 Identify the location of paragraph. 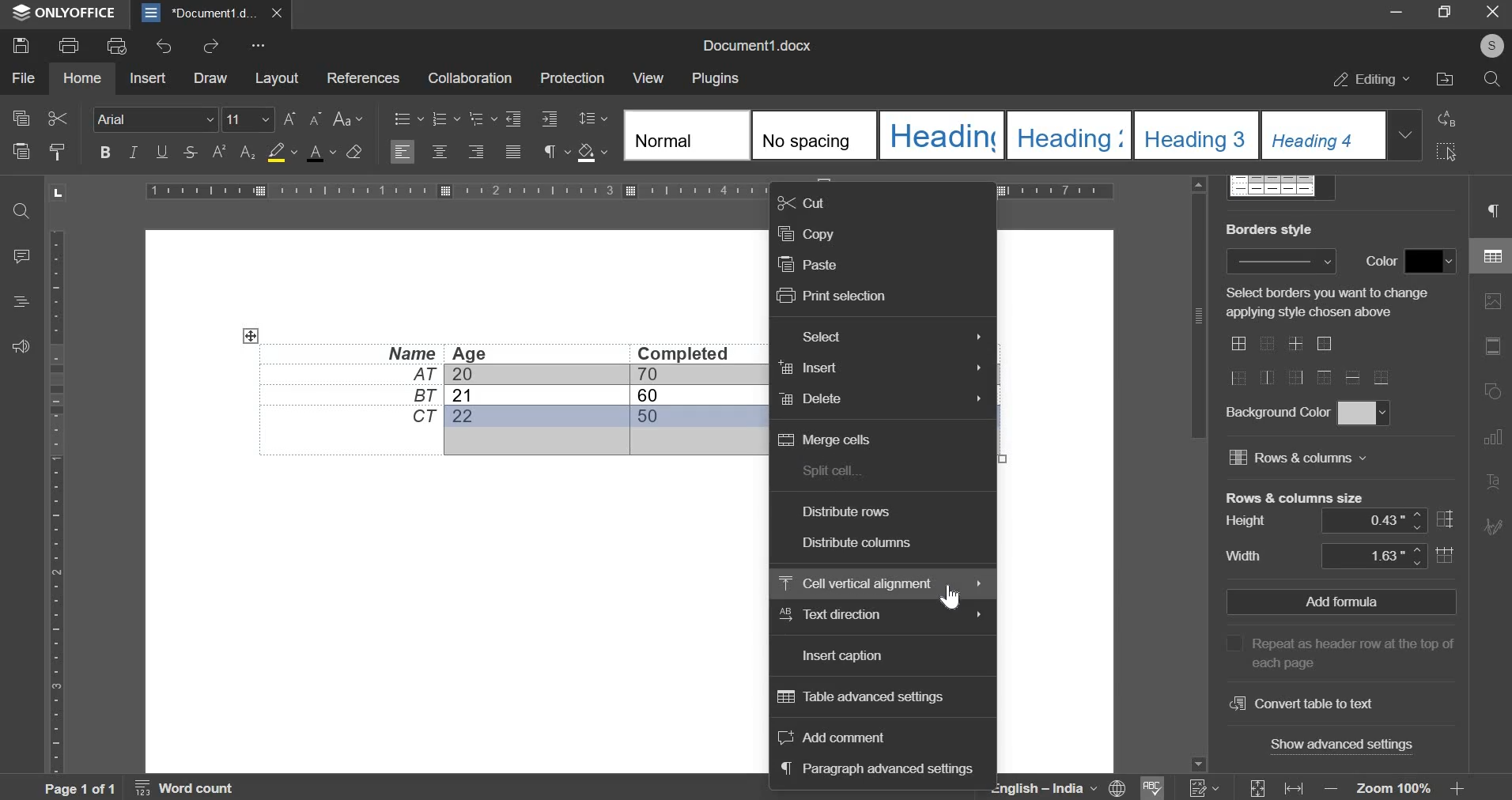
(550, 153).